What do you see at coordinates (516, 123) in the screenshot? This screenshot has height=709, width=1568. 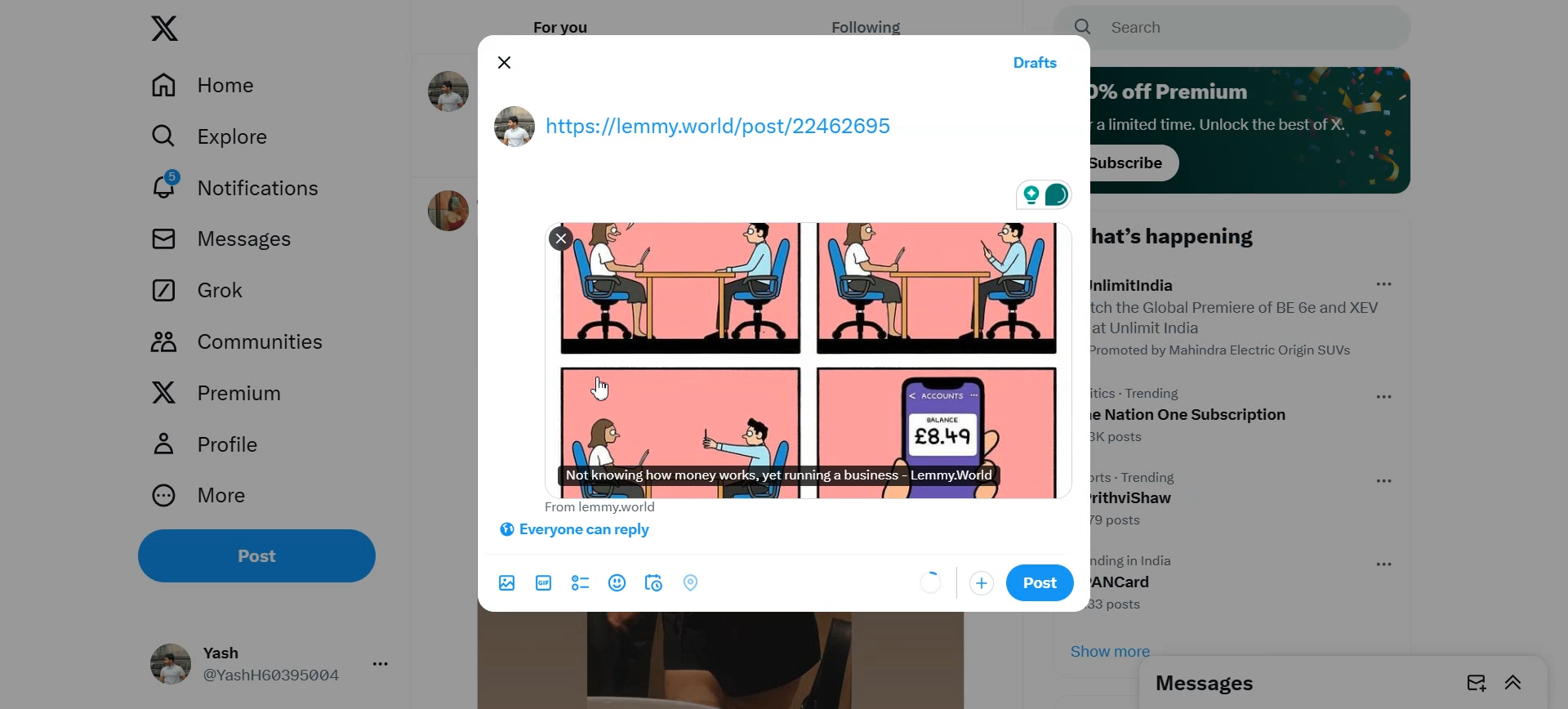 I see `Profile Pic` at bounding box center [516, 123].